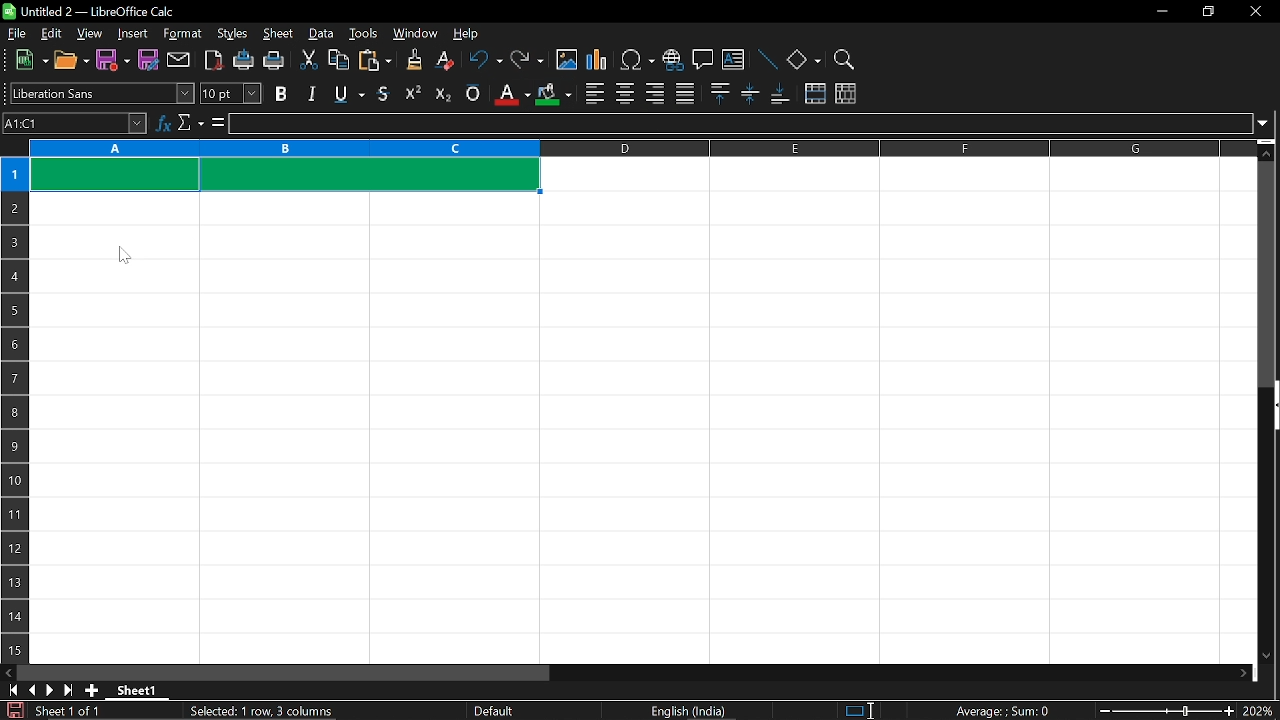 The height and width of the screenshot is (720, 1280). What do you see at coordinates (75, 124) in the screenshot?
I see `Name box` at bounding box center [75, 124].